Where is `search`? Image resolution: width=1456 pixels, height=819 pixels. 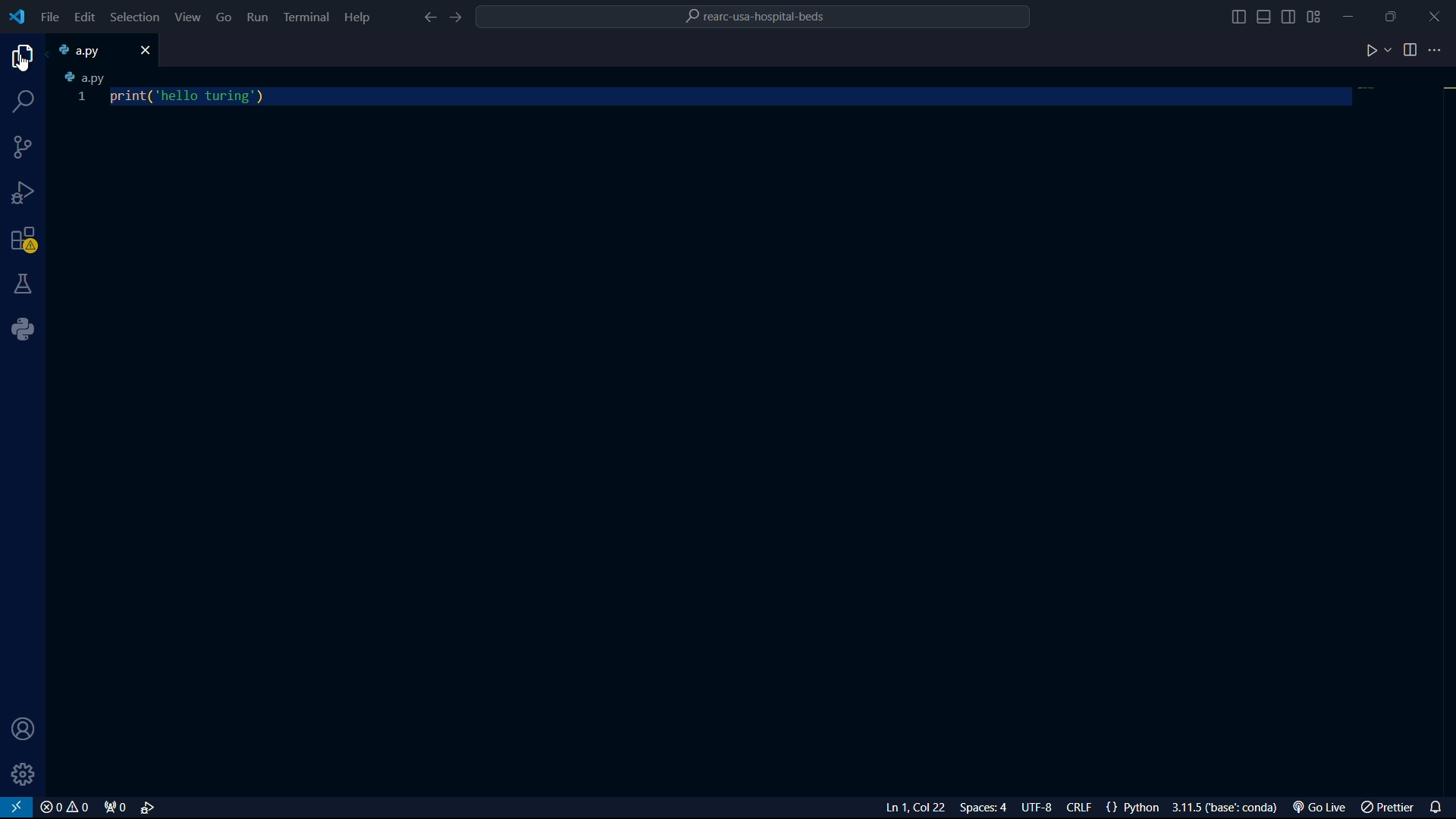
search is located at coordinates (21, 100).